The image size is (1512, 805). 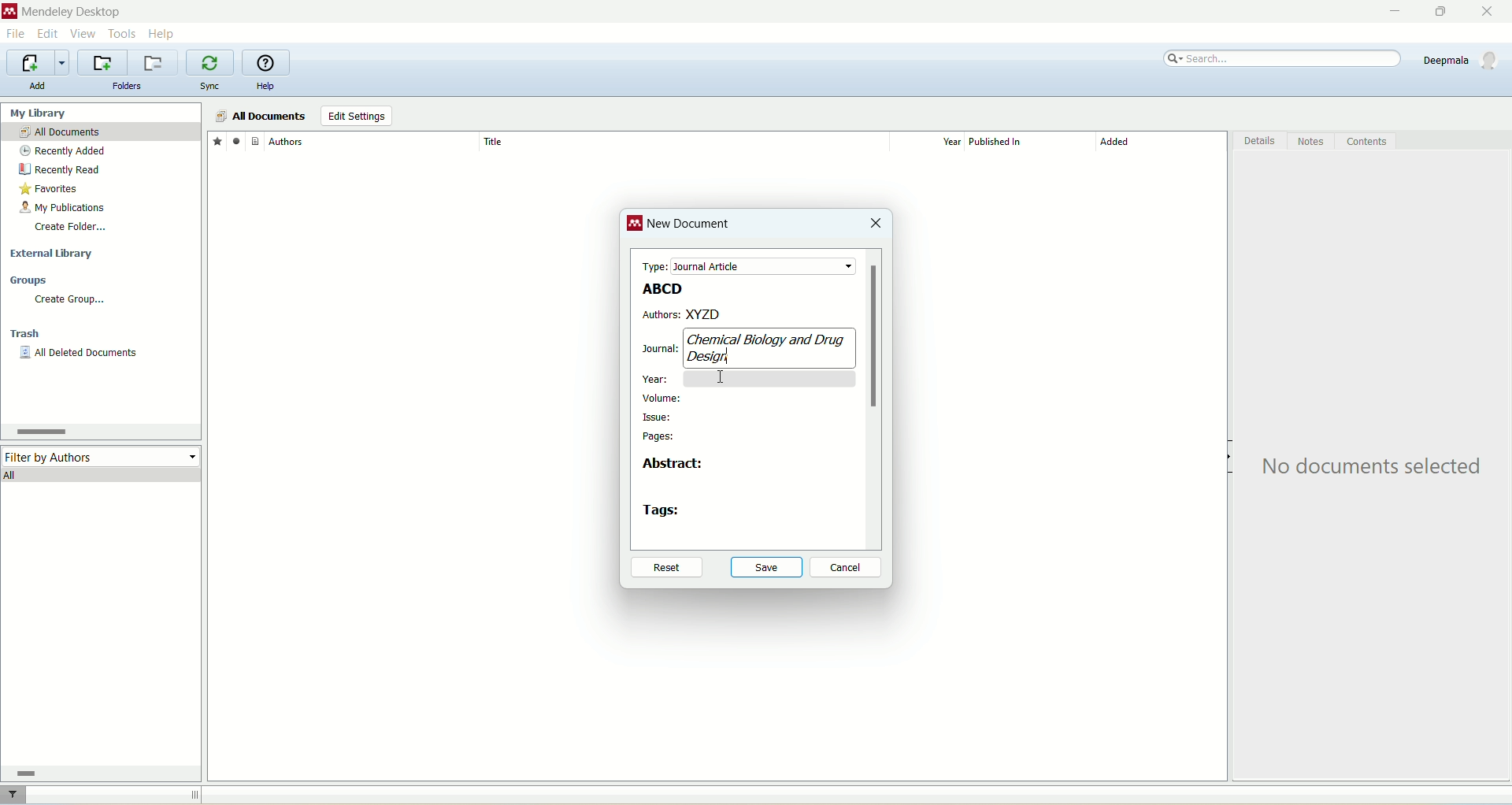 I want to click on tags, so click(x=663, y=510).